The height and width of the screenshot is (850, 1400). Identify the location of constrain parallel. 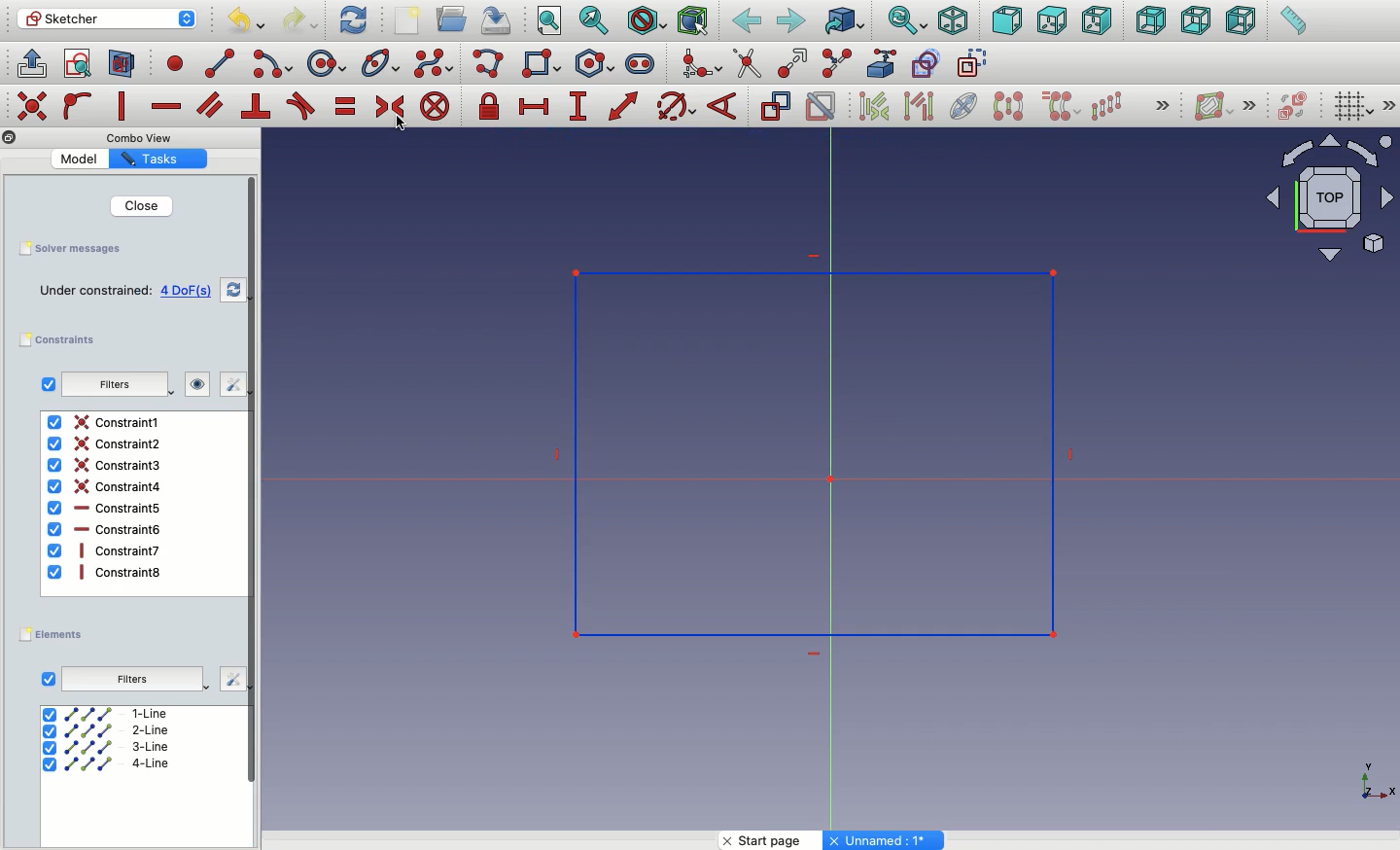
(211, 105).